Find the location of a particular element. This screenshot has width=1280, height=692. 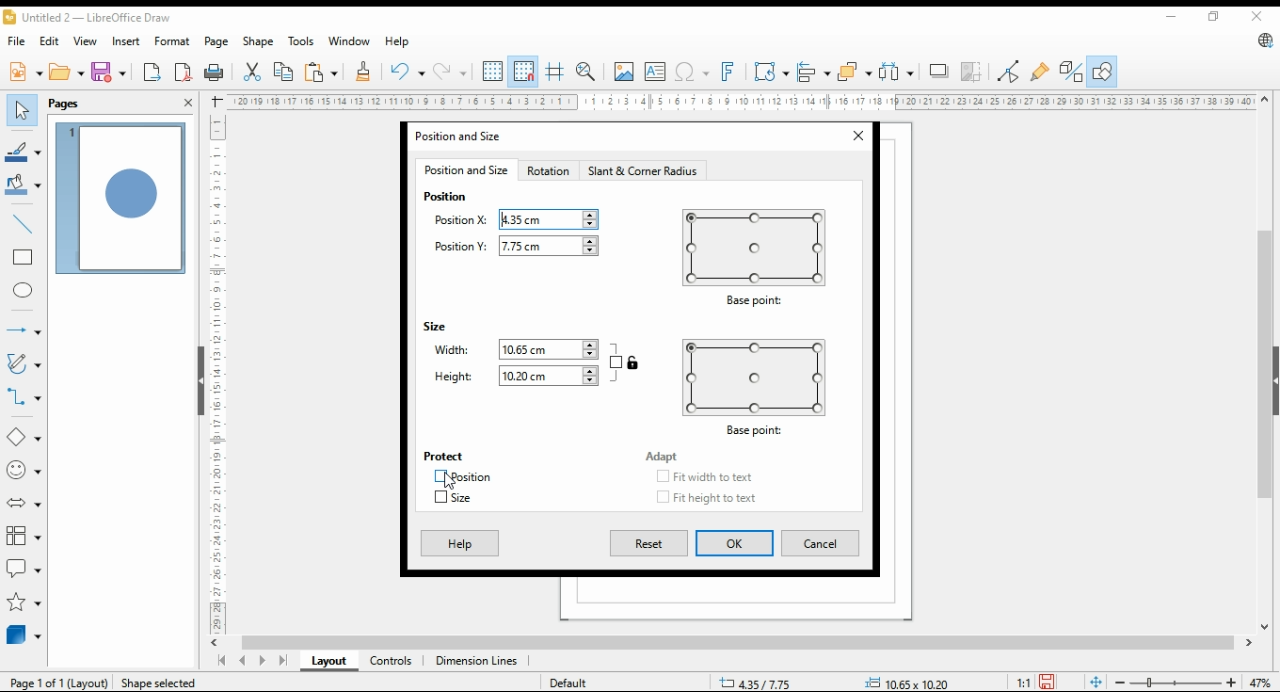

scroll bar is located at coordinates (1266, 361).